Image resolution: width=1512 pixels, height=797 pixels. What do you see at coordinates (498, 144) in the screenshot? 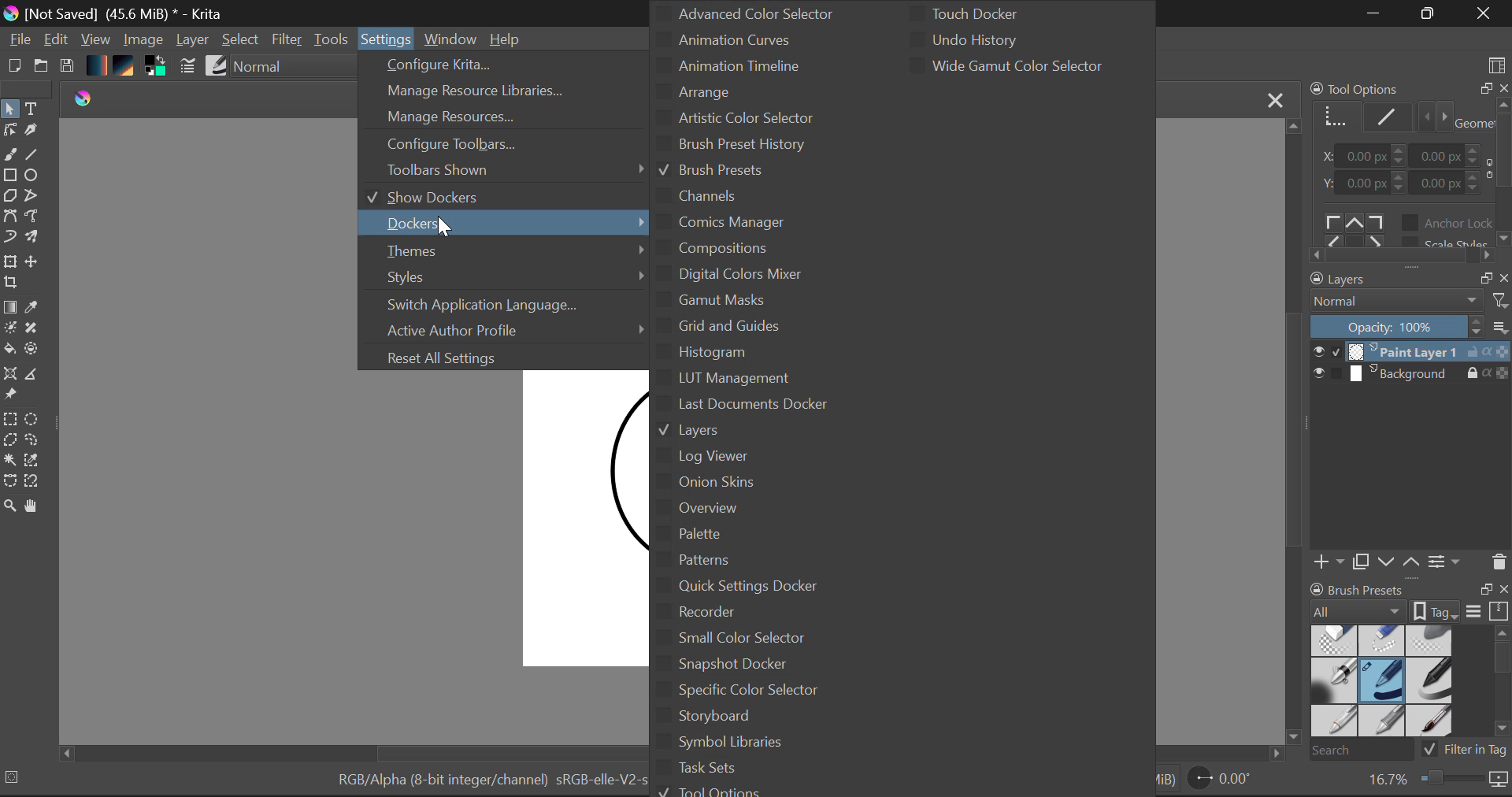
I see `Configure Toolbars` at bounding box center [498, 144].